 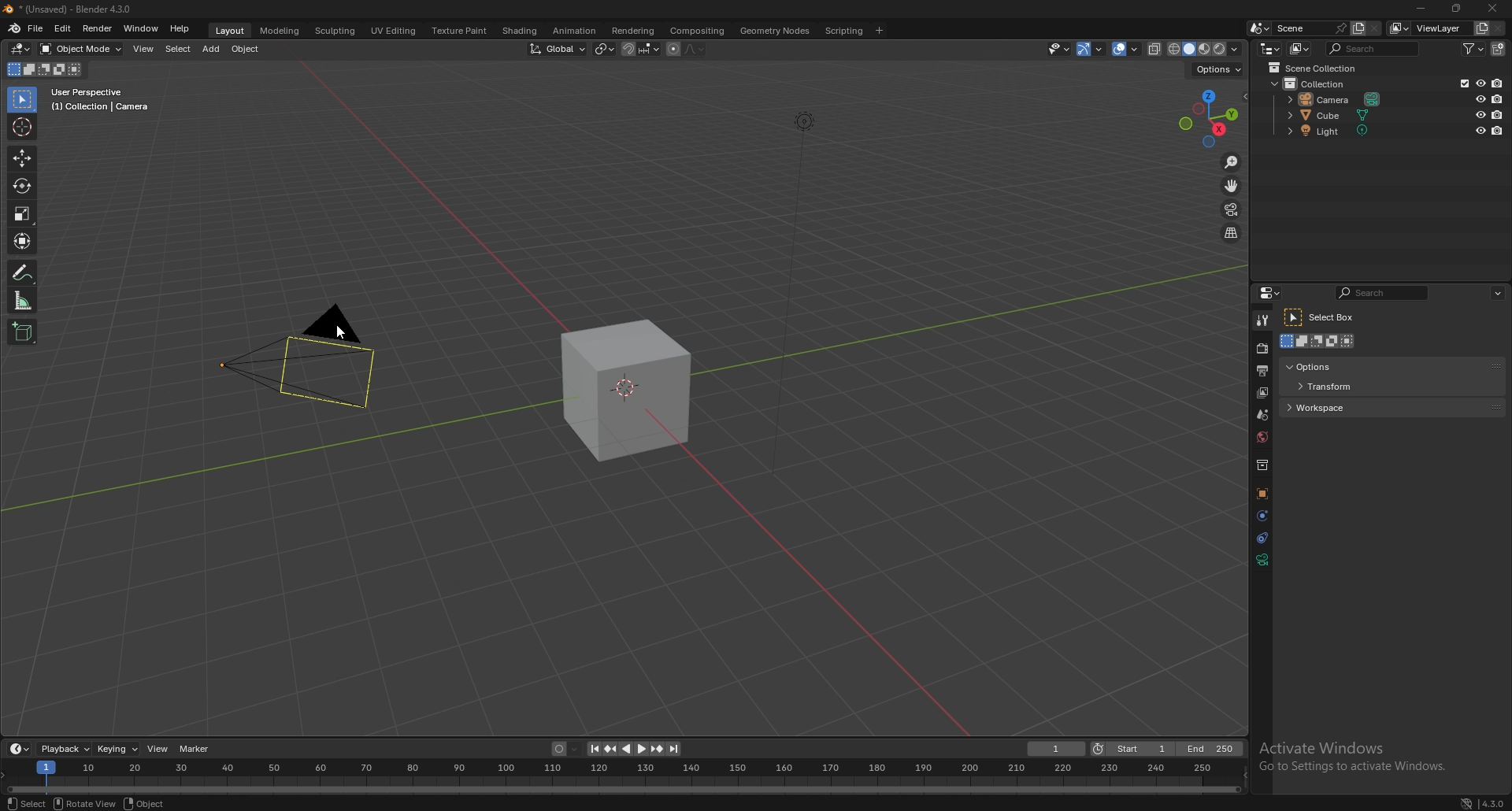 What do you see at coordinates (639, 48) in the screenshot?
I see `snapping` at bounding box center [639, 48].